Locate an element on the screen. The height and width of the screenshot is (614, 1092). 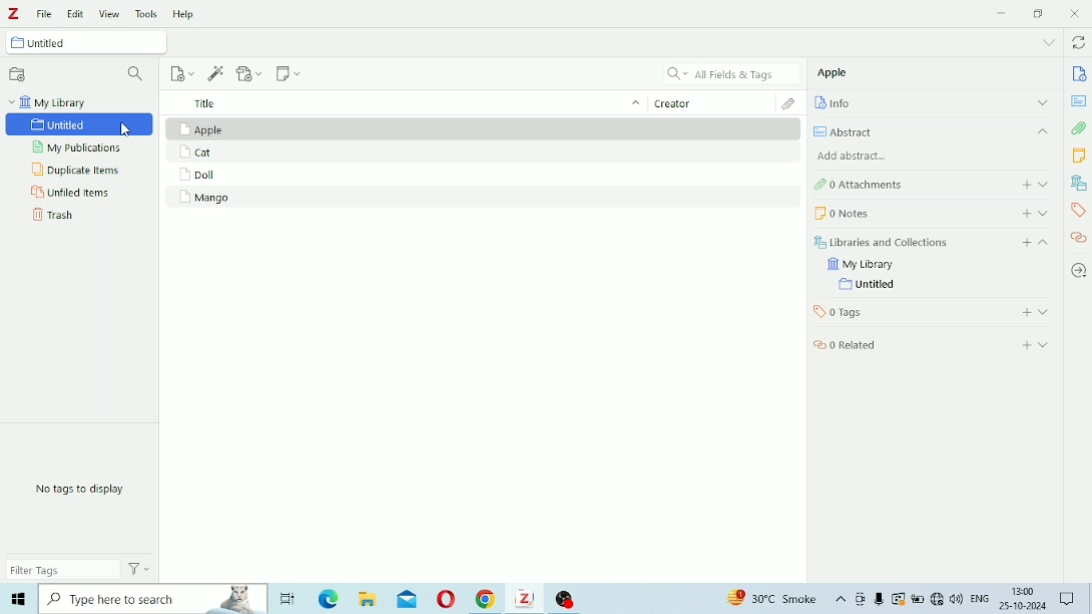
Tags is located at coordinates (837, 312).